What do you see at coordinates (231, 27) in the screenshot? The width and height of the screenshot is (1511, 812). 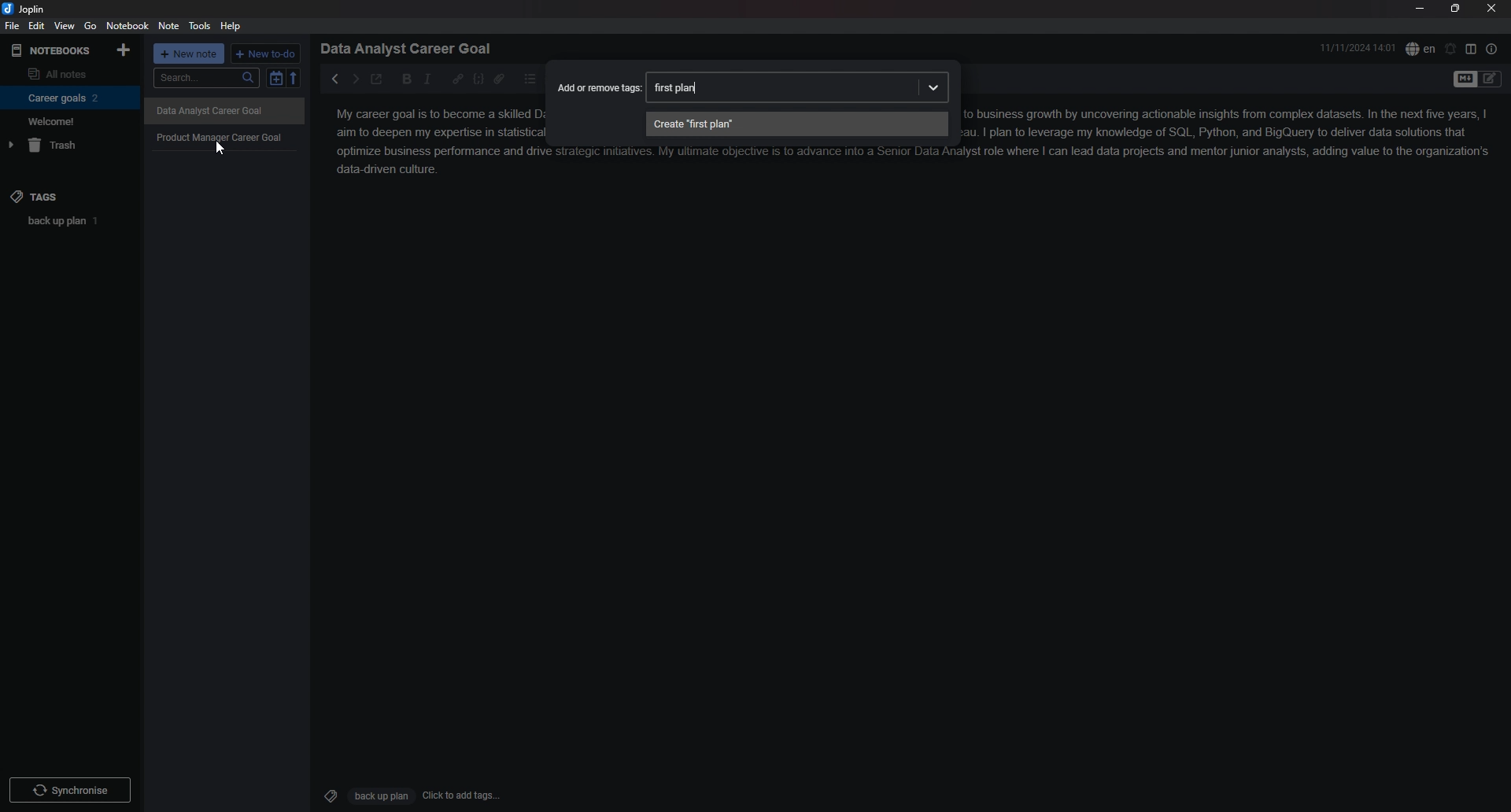 I see `help` at bounding box center [231, 27].